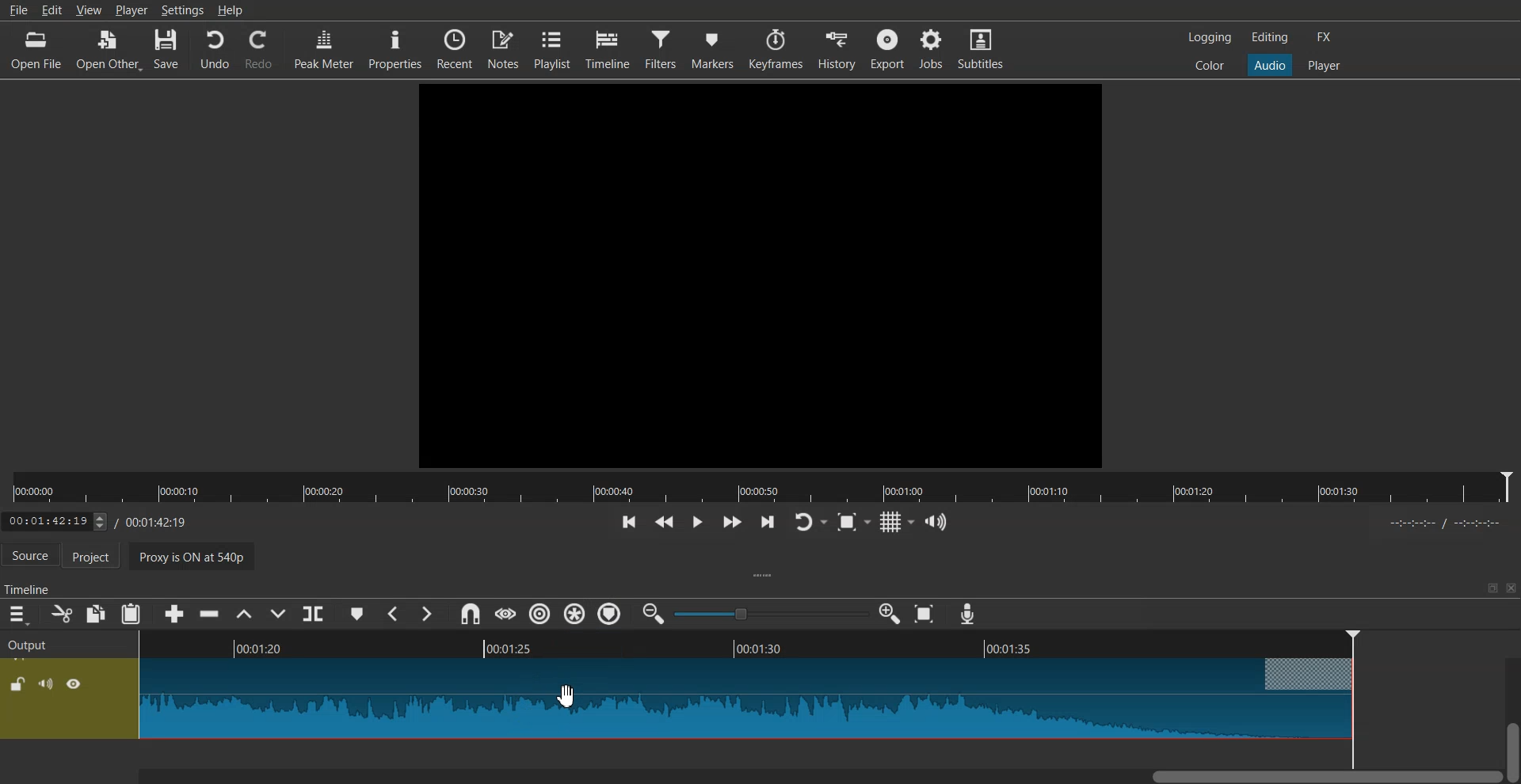 This screenshot has height=784, width=1521. Describe the element at coordinates (395, 49) in the screenshot. I see `Properties` at that location.